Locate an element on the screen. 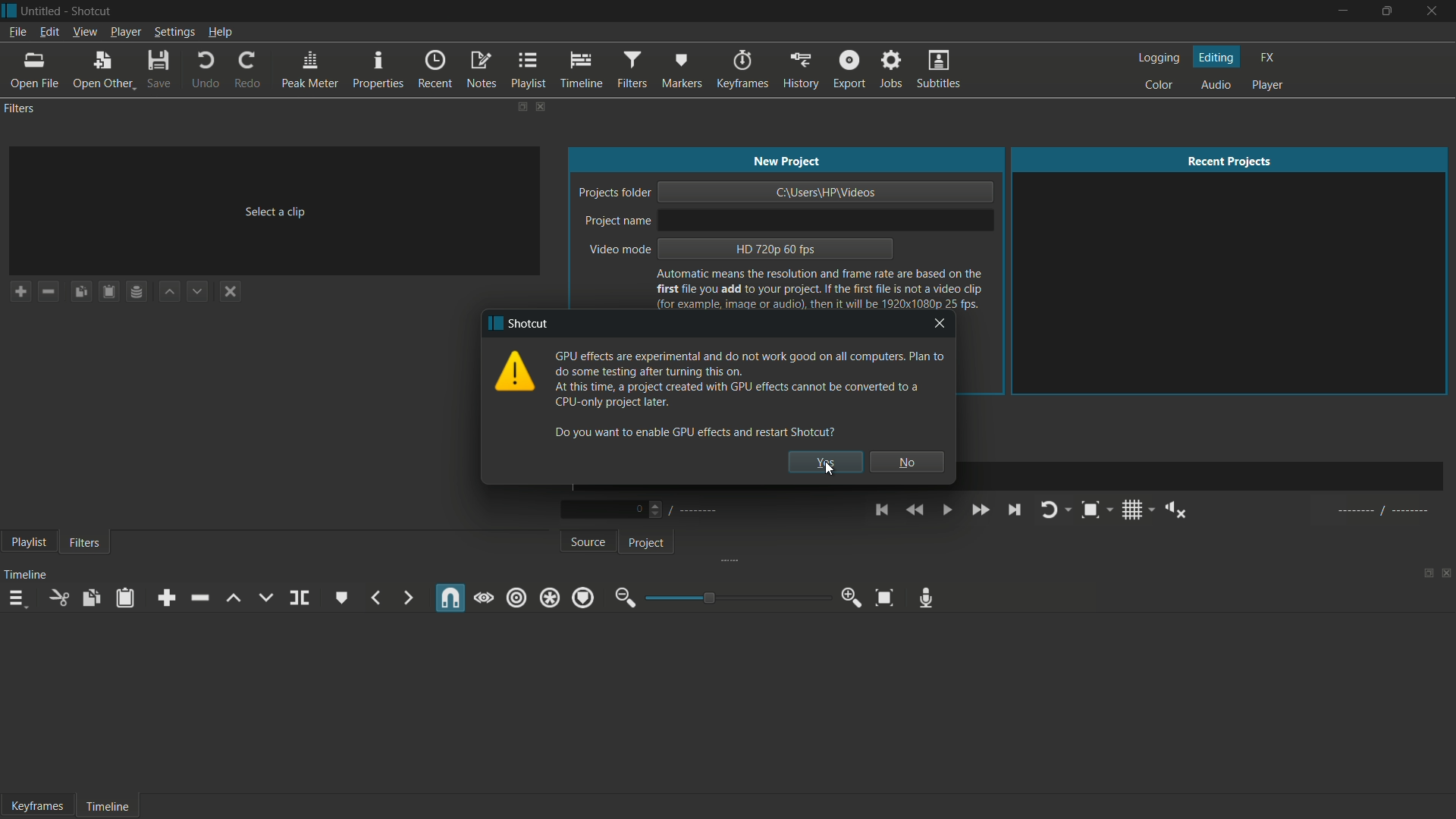 Image resolution: width=1456 pixels, height=819 pixels. hd 720p 60 fps is located at coordinates (775, 249).